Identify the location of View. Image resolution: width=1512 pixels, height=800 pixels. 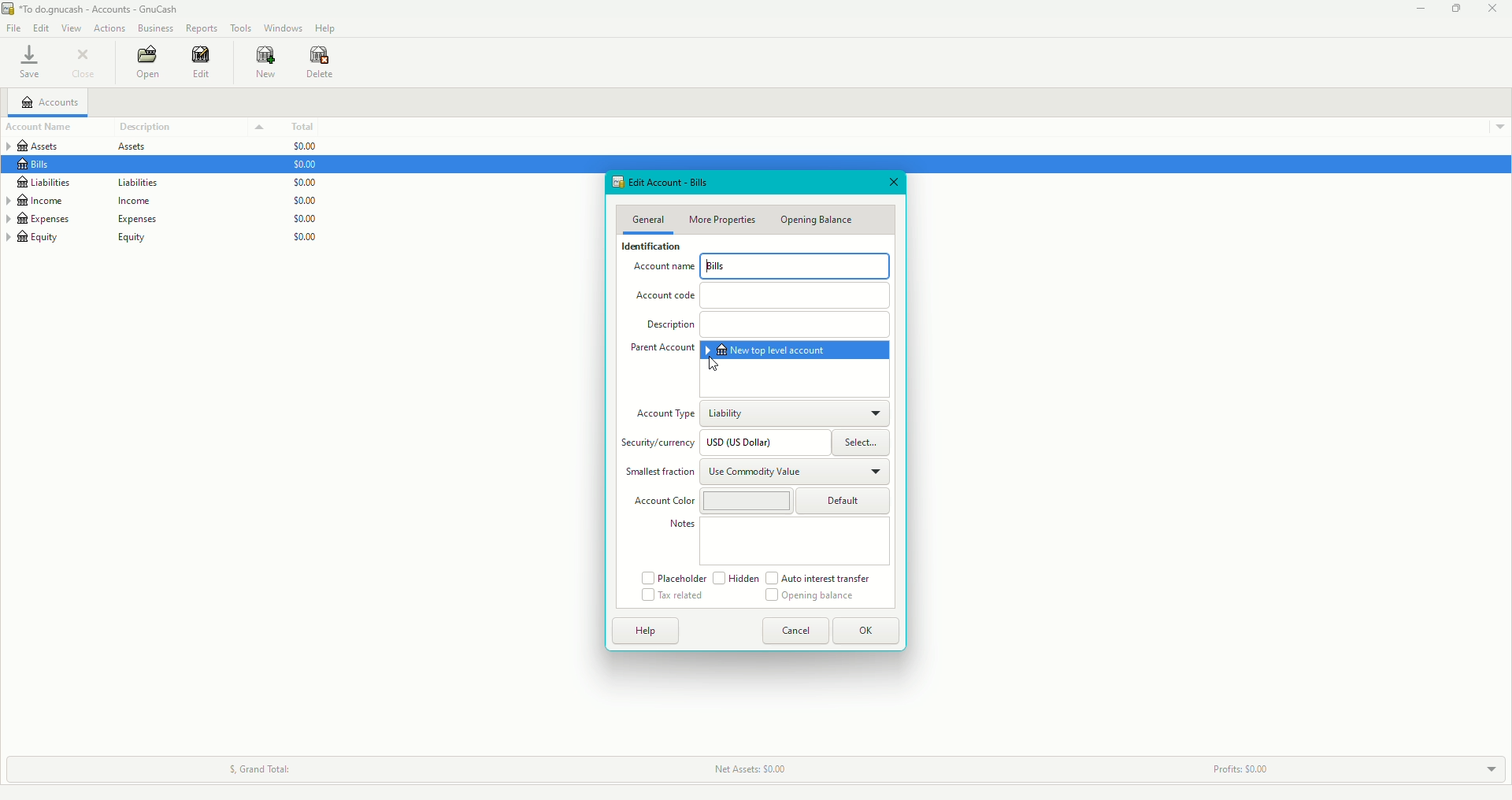
(73, 29).